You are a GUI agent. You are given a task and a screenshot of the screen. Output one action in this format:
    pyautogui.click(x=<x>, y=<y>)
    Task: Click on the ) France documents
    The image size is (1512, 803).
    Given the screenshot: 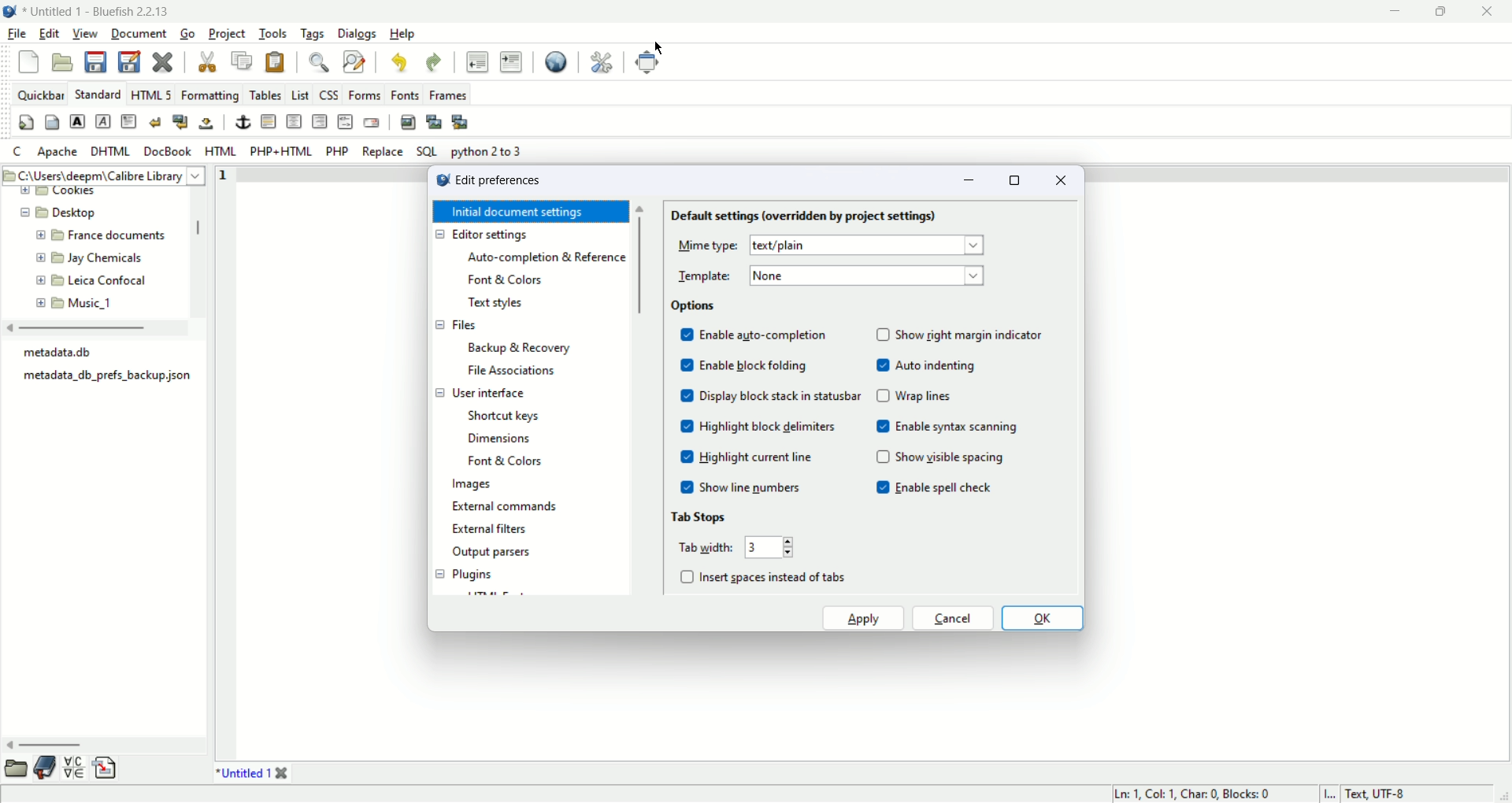 What is the action you would take?
    pyautogui.click(x=117, y=236)
    